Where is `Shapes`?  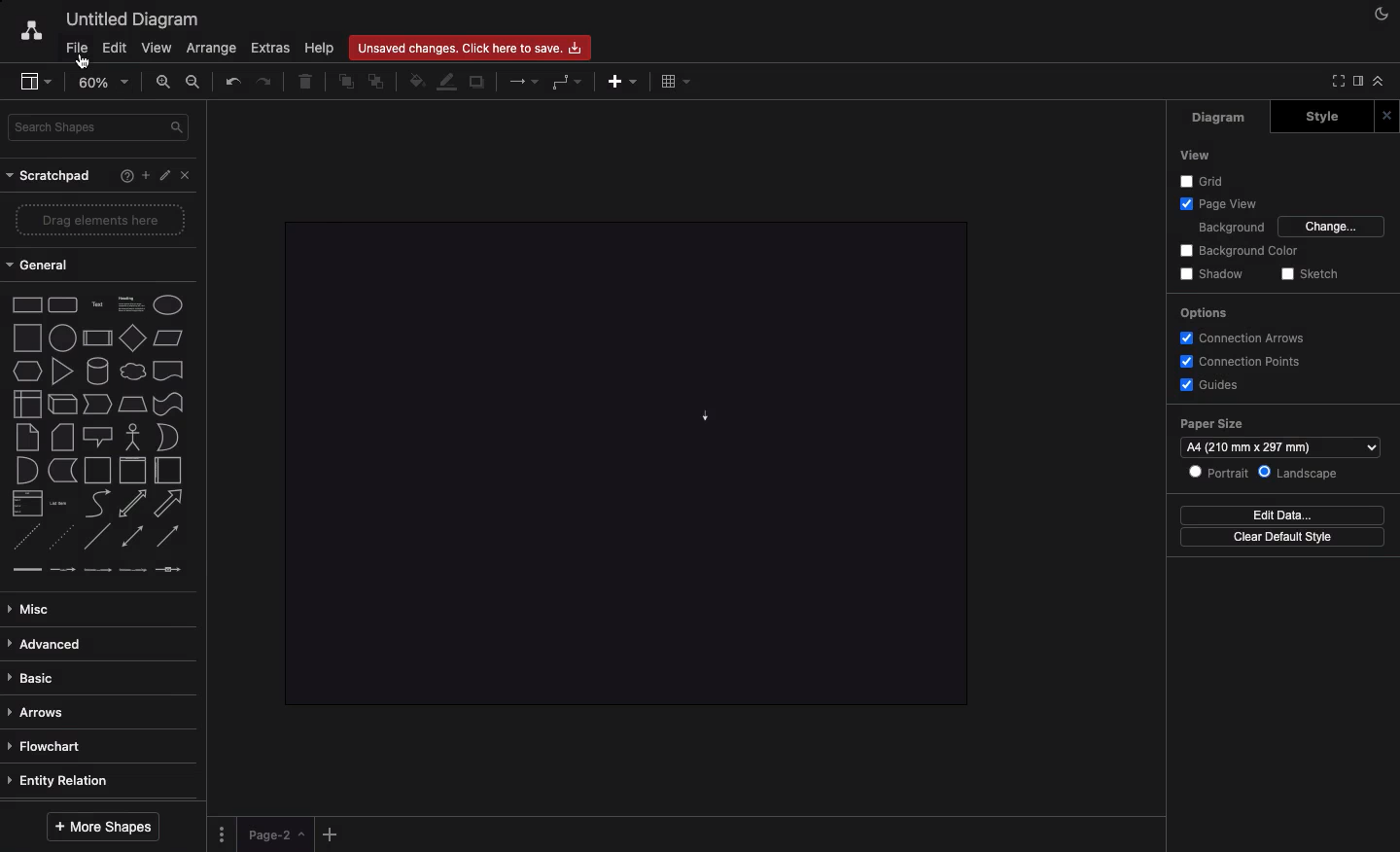 Shapes is located at coordinates (99, 436).